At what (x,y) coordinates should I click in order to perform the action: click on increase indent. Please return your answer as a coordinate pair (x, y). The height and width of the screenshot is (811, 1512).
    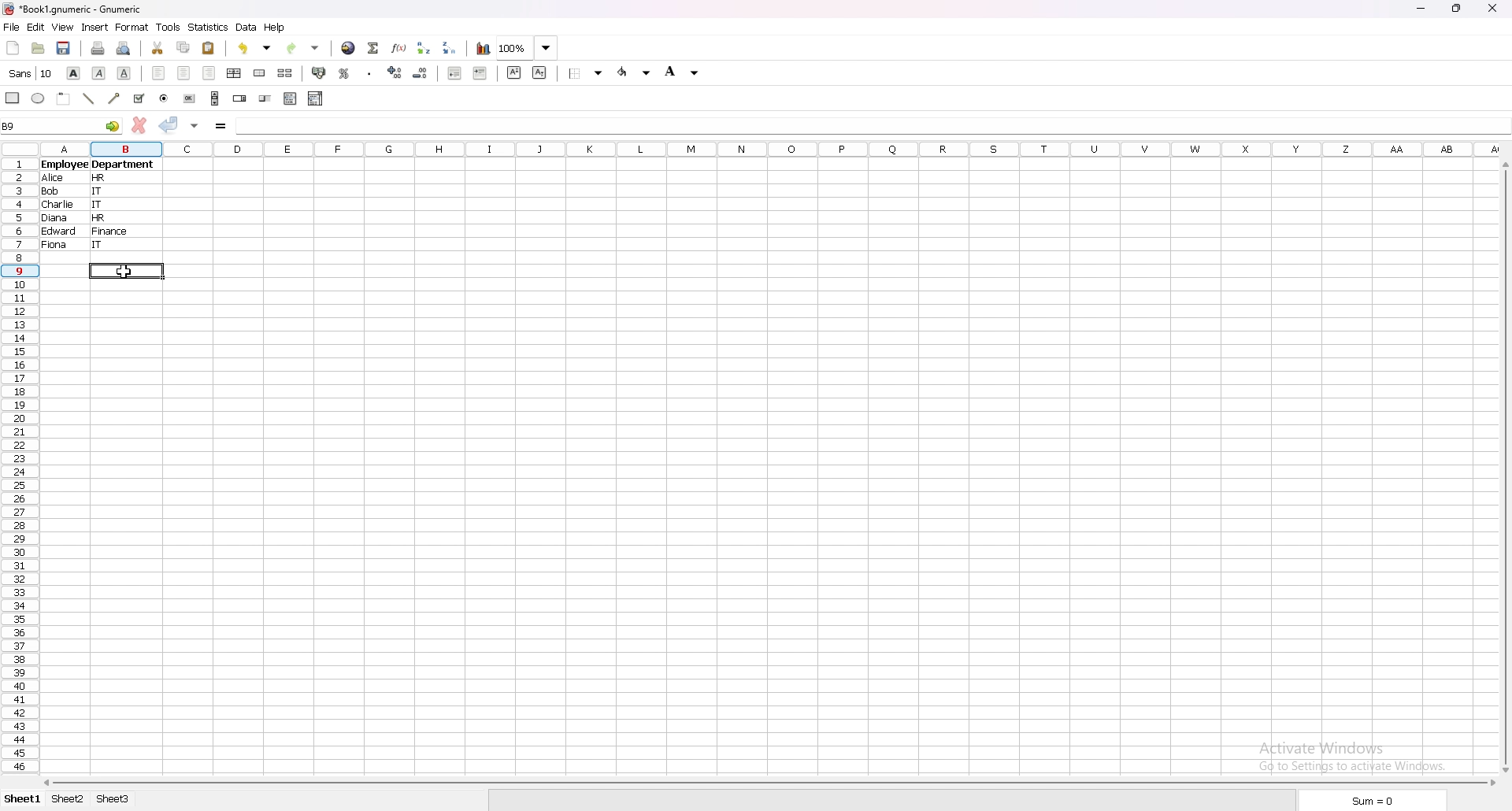
    Looking at the image, I should click on (480, 73).